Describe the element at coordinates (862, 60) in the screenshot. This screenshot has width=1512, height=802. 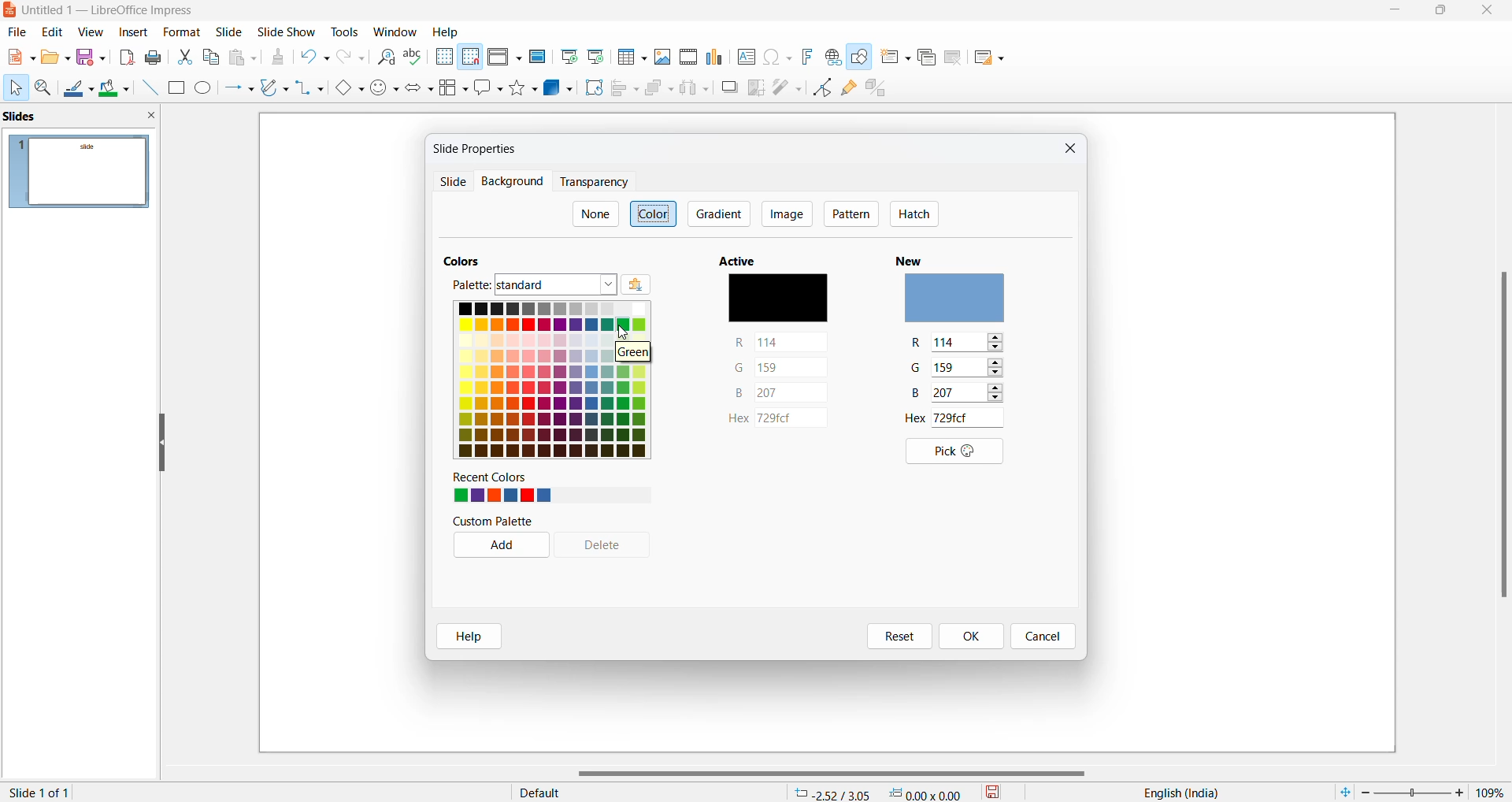
I see `show draw functions` at that location.